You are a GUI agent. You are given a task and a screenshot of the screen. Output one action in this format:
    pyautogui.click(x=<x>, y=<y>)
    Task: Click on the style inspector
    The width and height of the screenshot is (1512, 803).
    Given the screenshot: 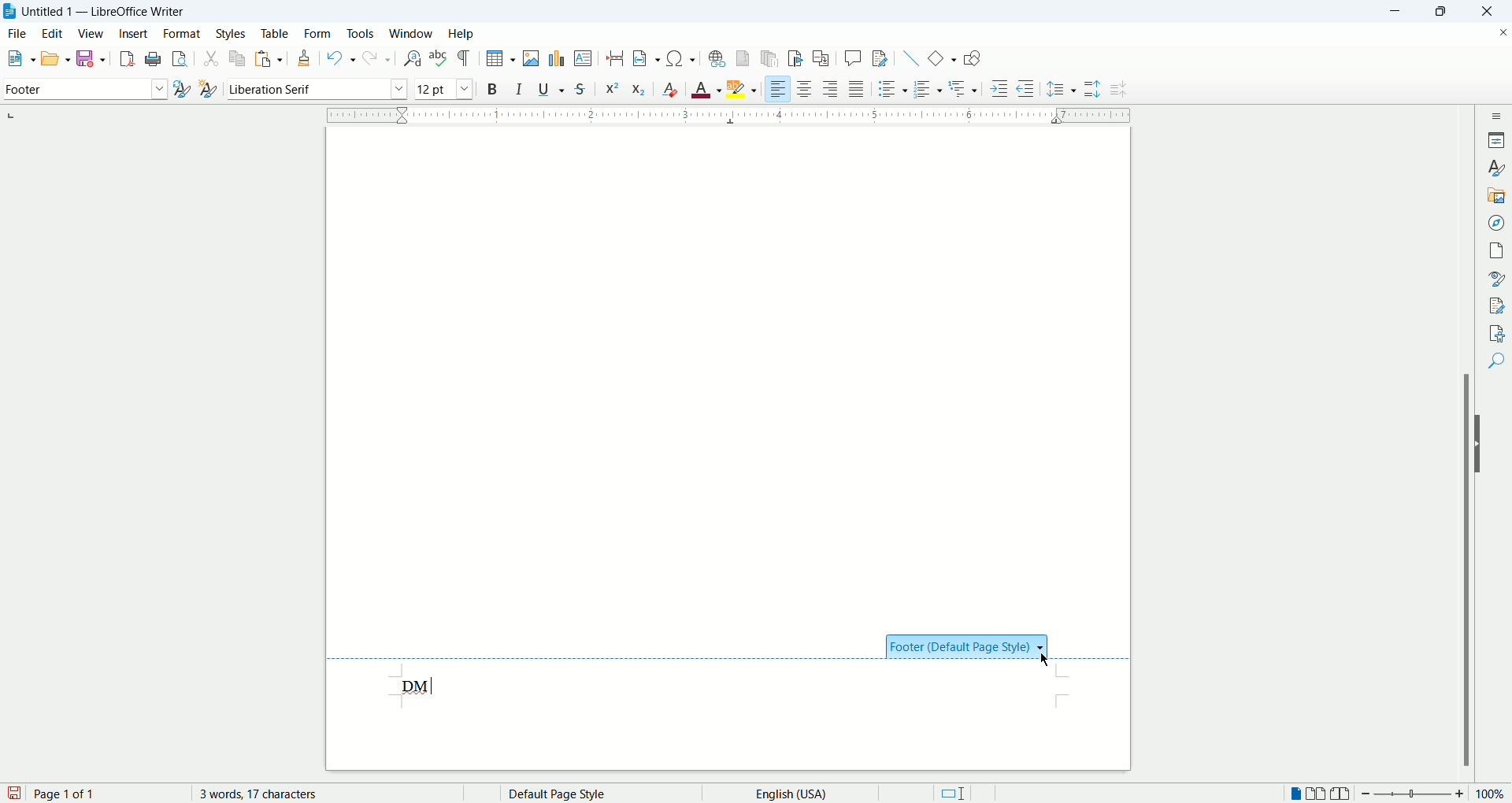 What is the action you would take?
    pyautogui.click(x=1499, y=279)
    